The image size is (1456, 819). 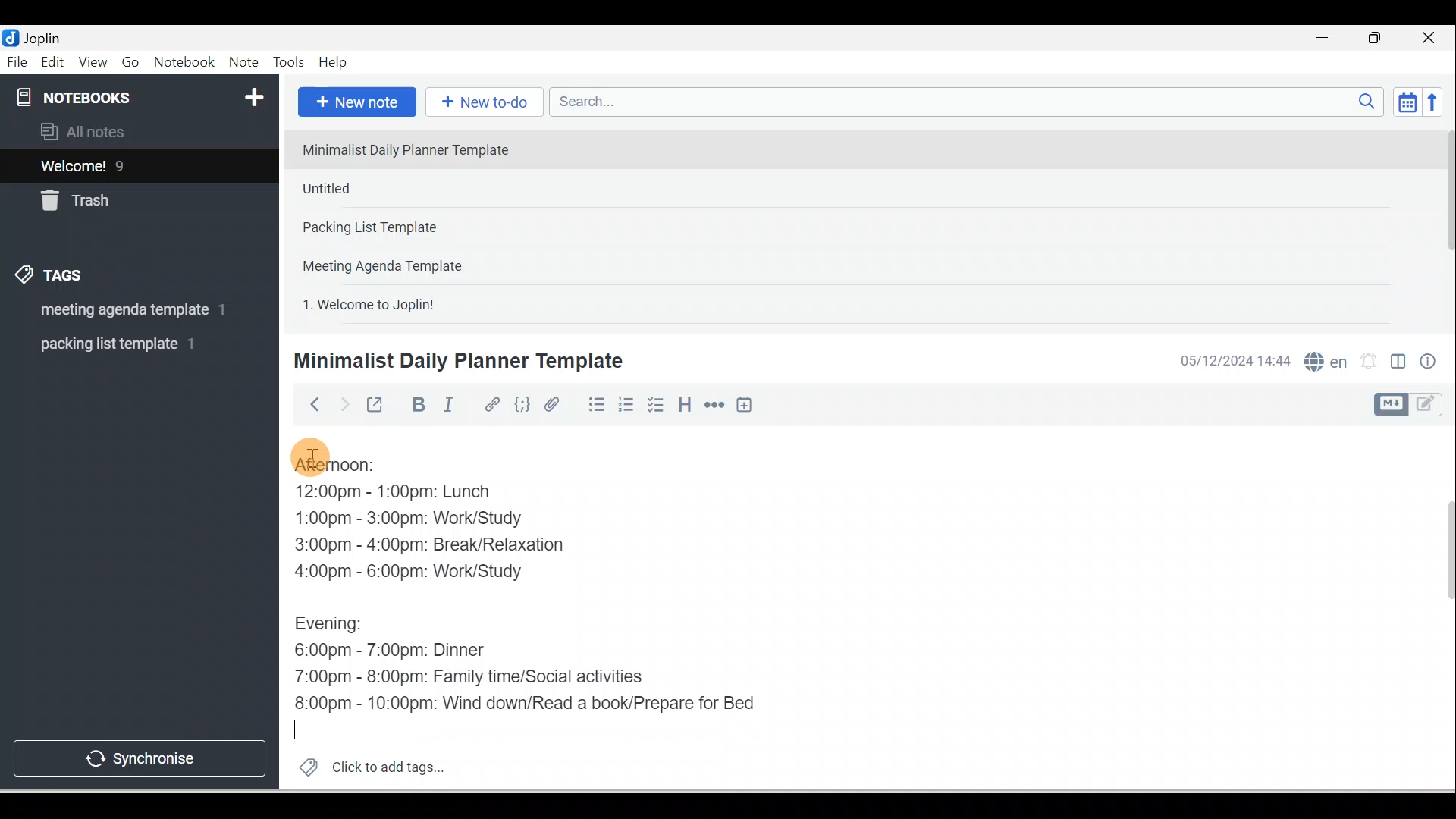 What do you see at coordinates (128, 344) in the screenshot?
I see `Tag 2` at bounding box center [128, 344].